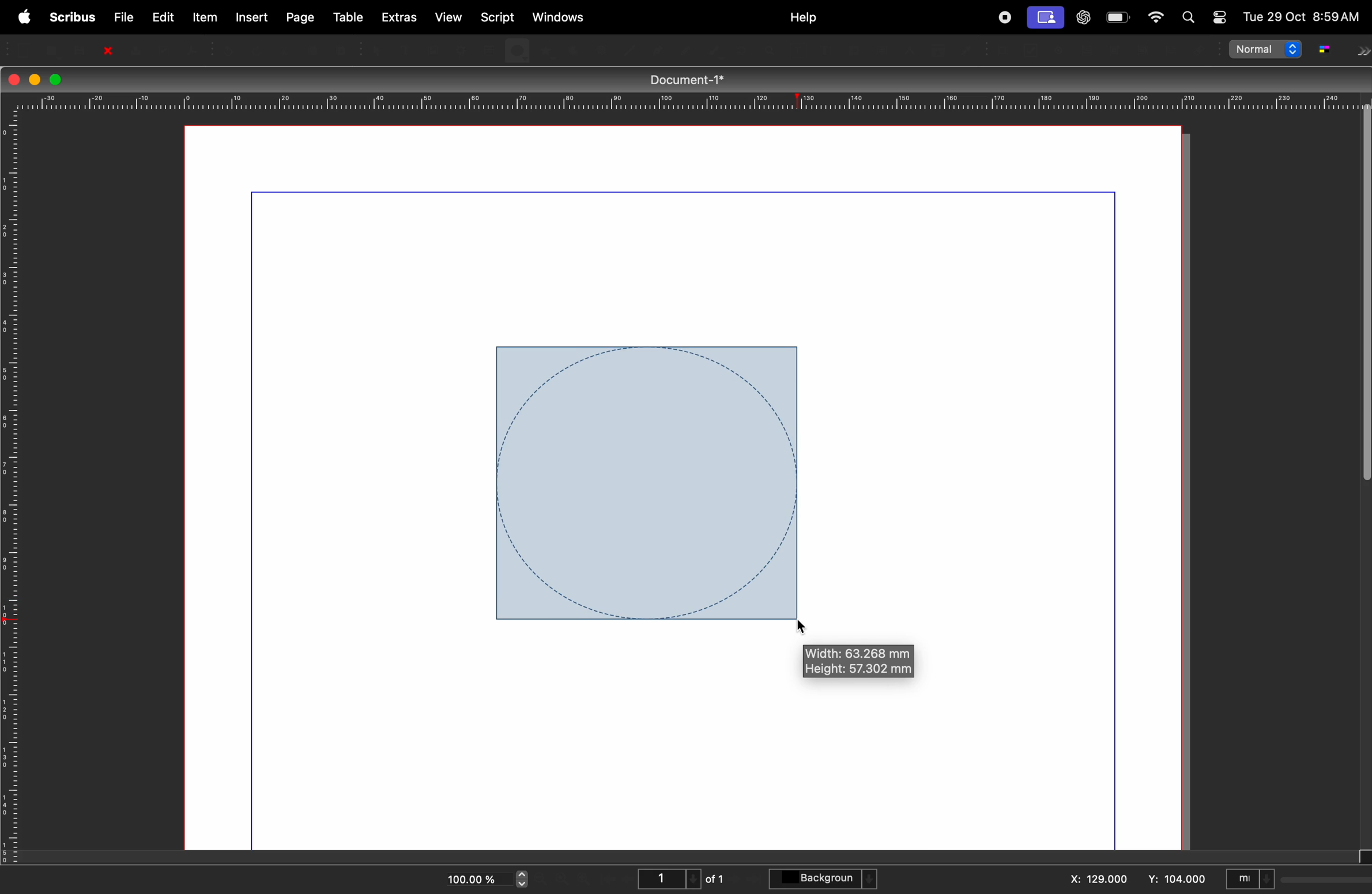 The image size is (1372, 894). Describe the element at coordinates (694, 79) in the screenshot. I see `Document-1*` at that location.